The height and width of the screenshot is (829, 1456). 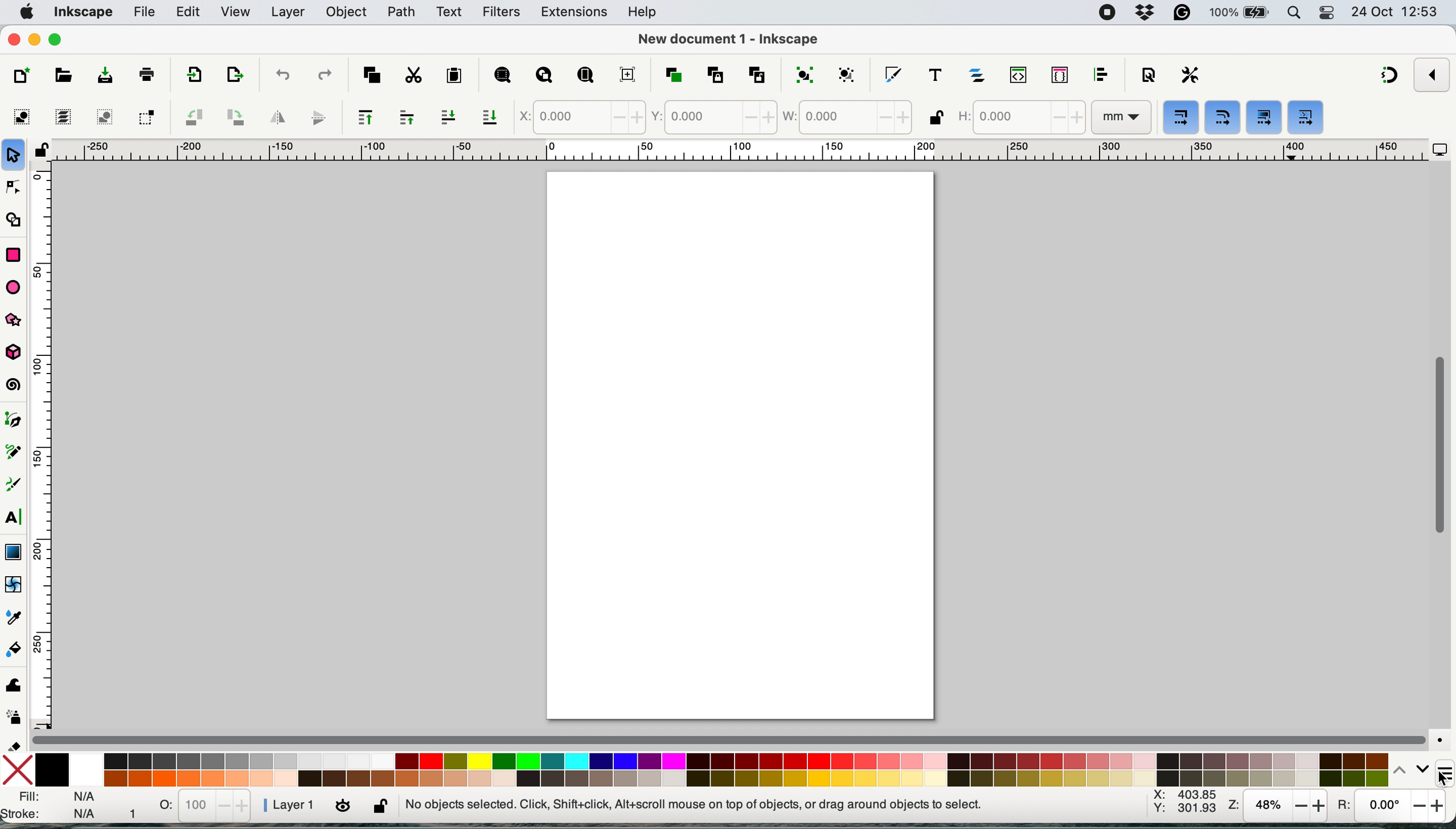 I want to click on minimise, so click(x=35, y=41).